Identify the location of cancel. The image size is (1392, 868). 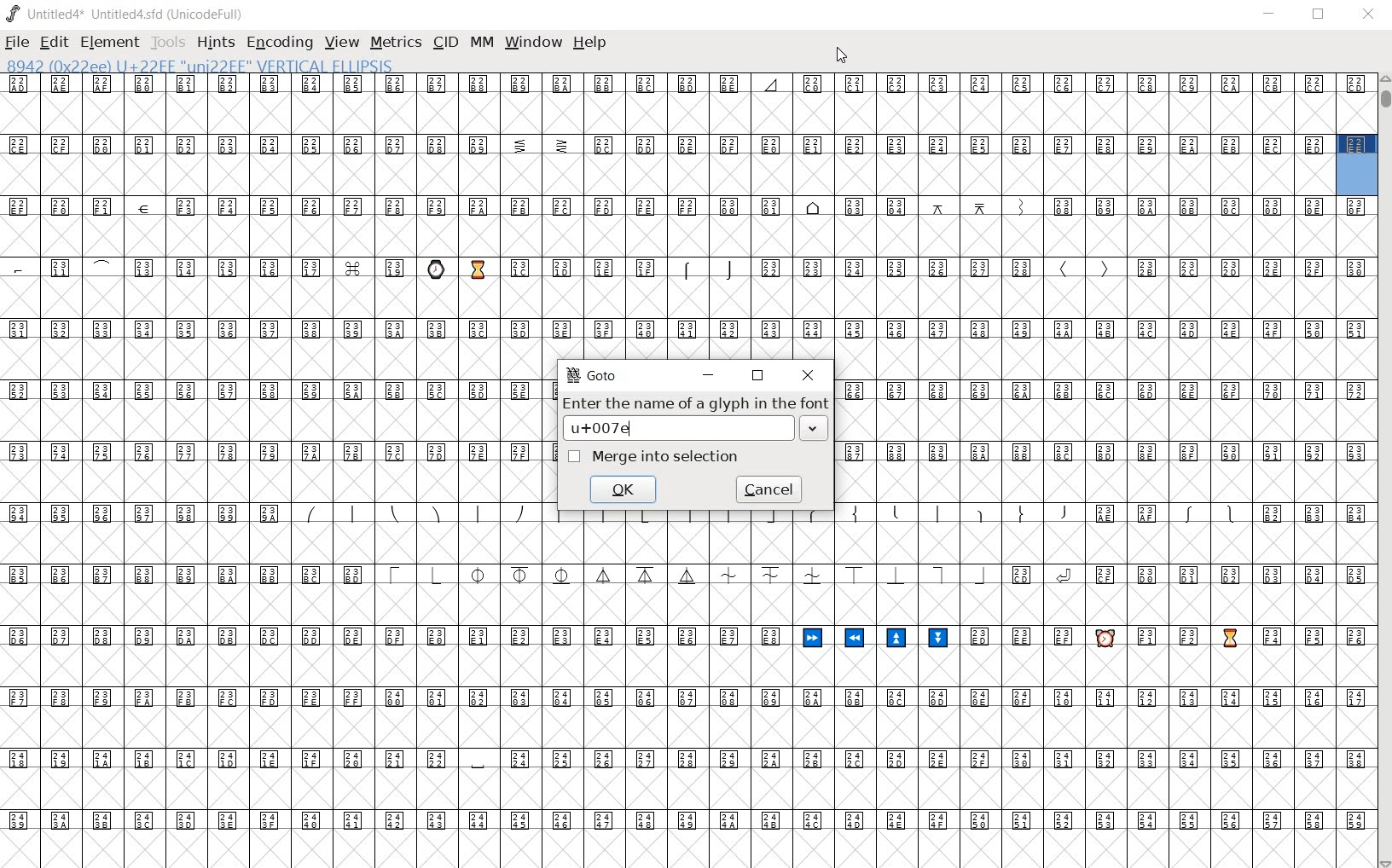
(769, 489).